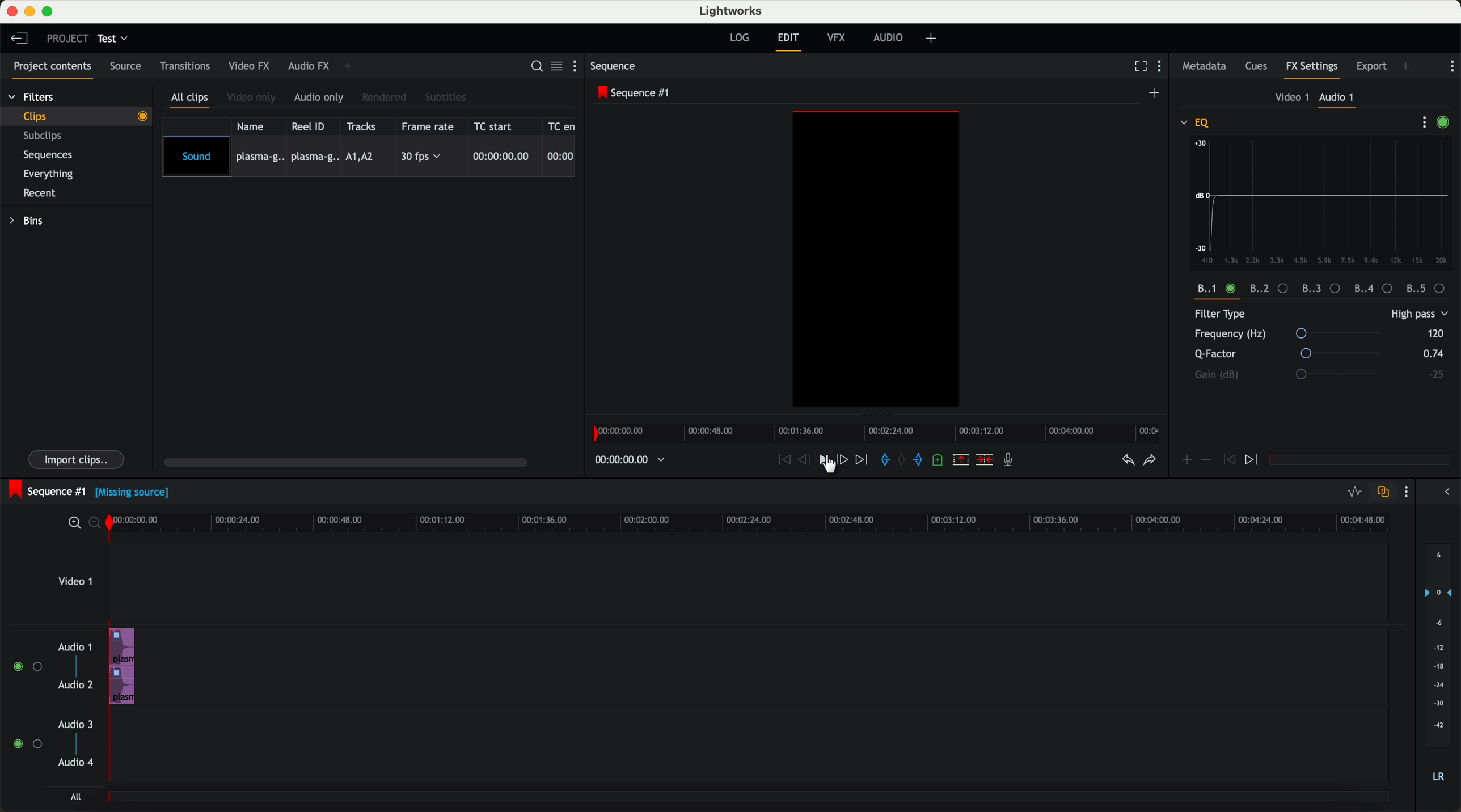 Image resolution: width=1461 pixels, height=812 pixels. Describe the element at coordinates (1383, 492) in the screenshot. I see `toggle auto track sync` at that location.